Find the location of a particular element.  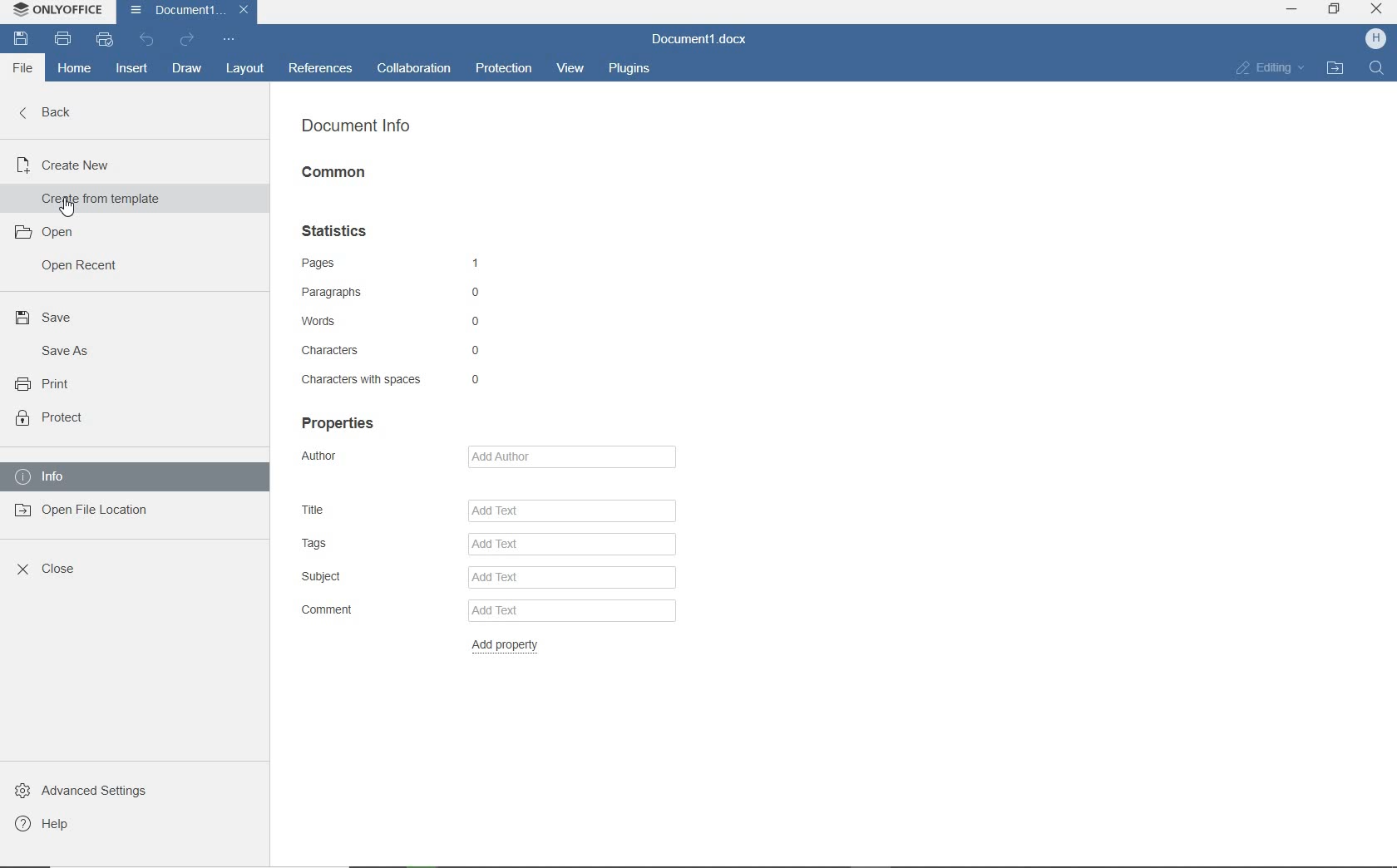

subject is located at coordinates (484, 577).